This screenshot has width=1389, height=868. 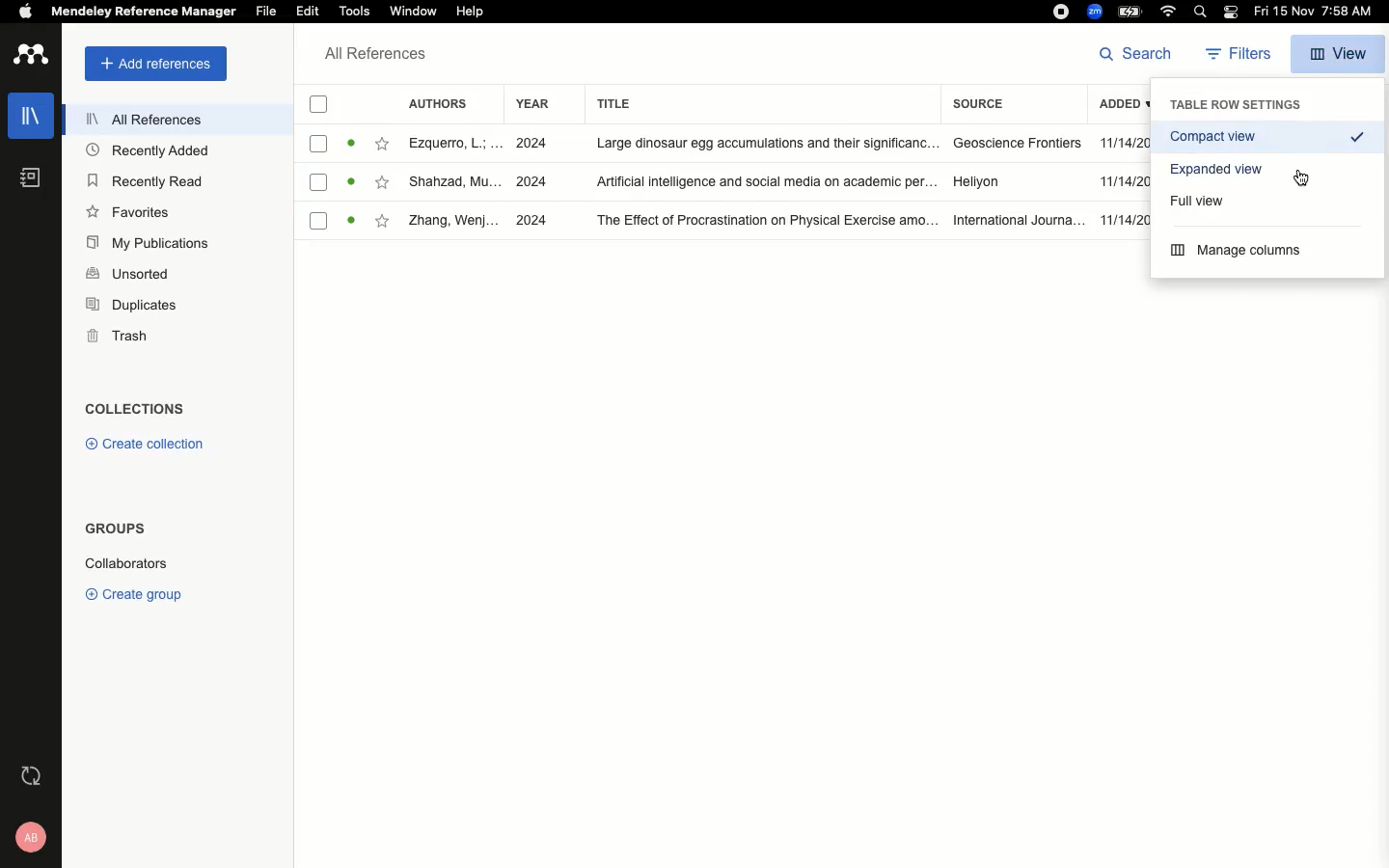 What do you see at coordinates (1230, 14) in the screenshot?
I see `Notification` at bounding box center [1230, 14].